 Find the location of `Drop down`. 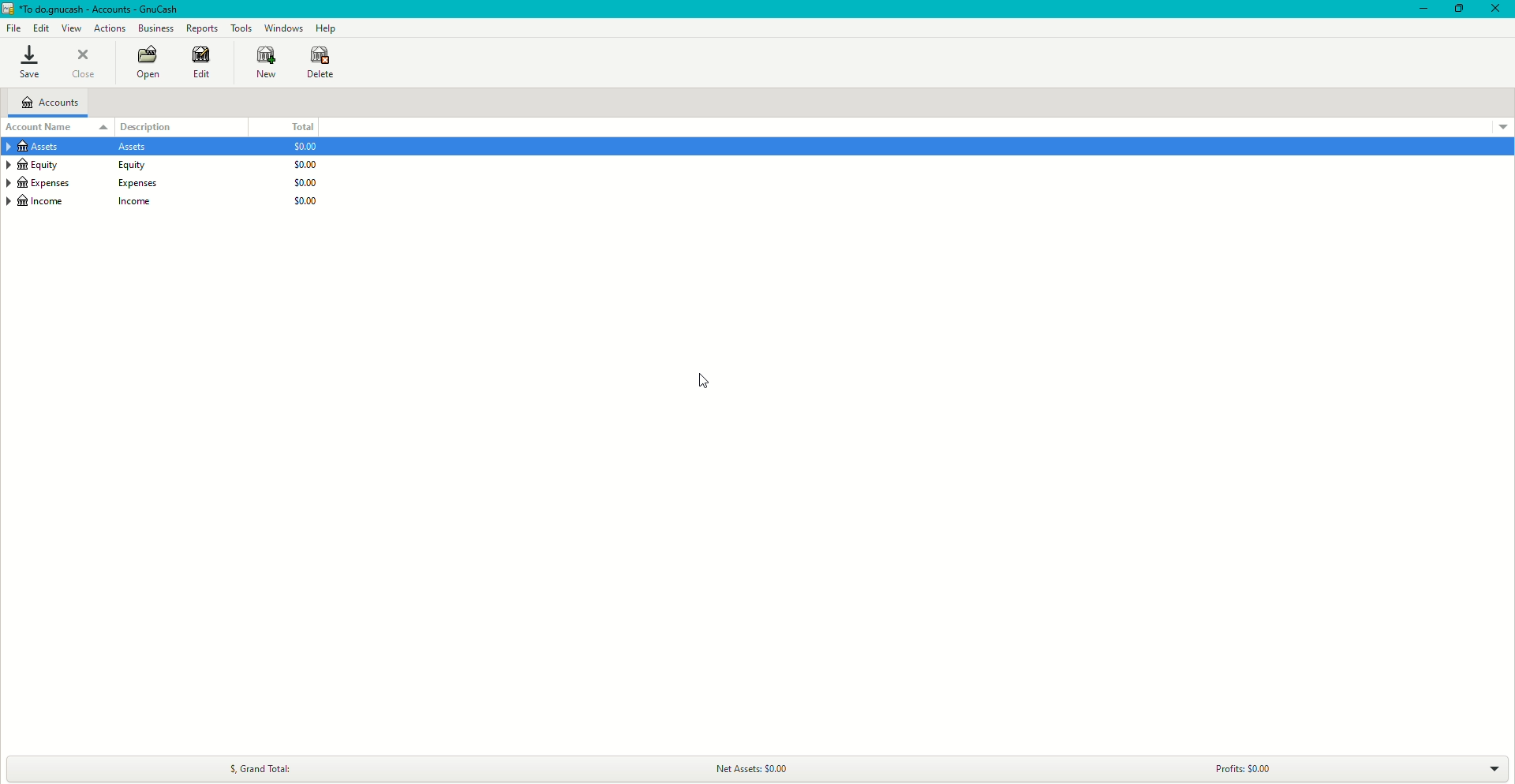

Drop down is located at coordinates (1495, 771).